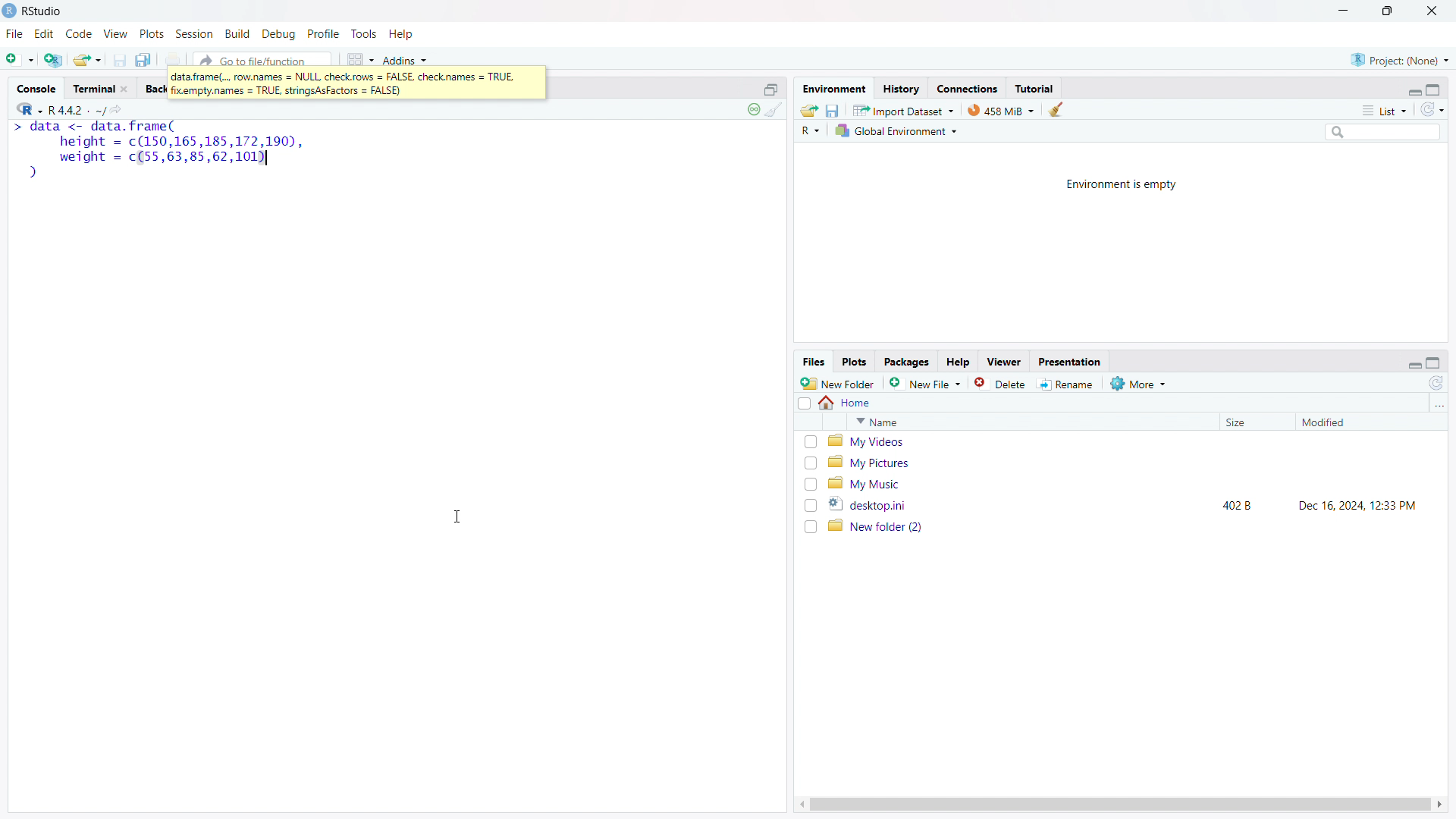 The height and width of the screenshot is (819, 1456). What do you see at coordinates (1131, 441) in the screenshot?
I see `my videos` at bounding box center [1131, 441].